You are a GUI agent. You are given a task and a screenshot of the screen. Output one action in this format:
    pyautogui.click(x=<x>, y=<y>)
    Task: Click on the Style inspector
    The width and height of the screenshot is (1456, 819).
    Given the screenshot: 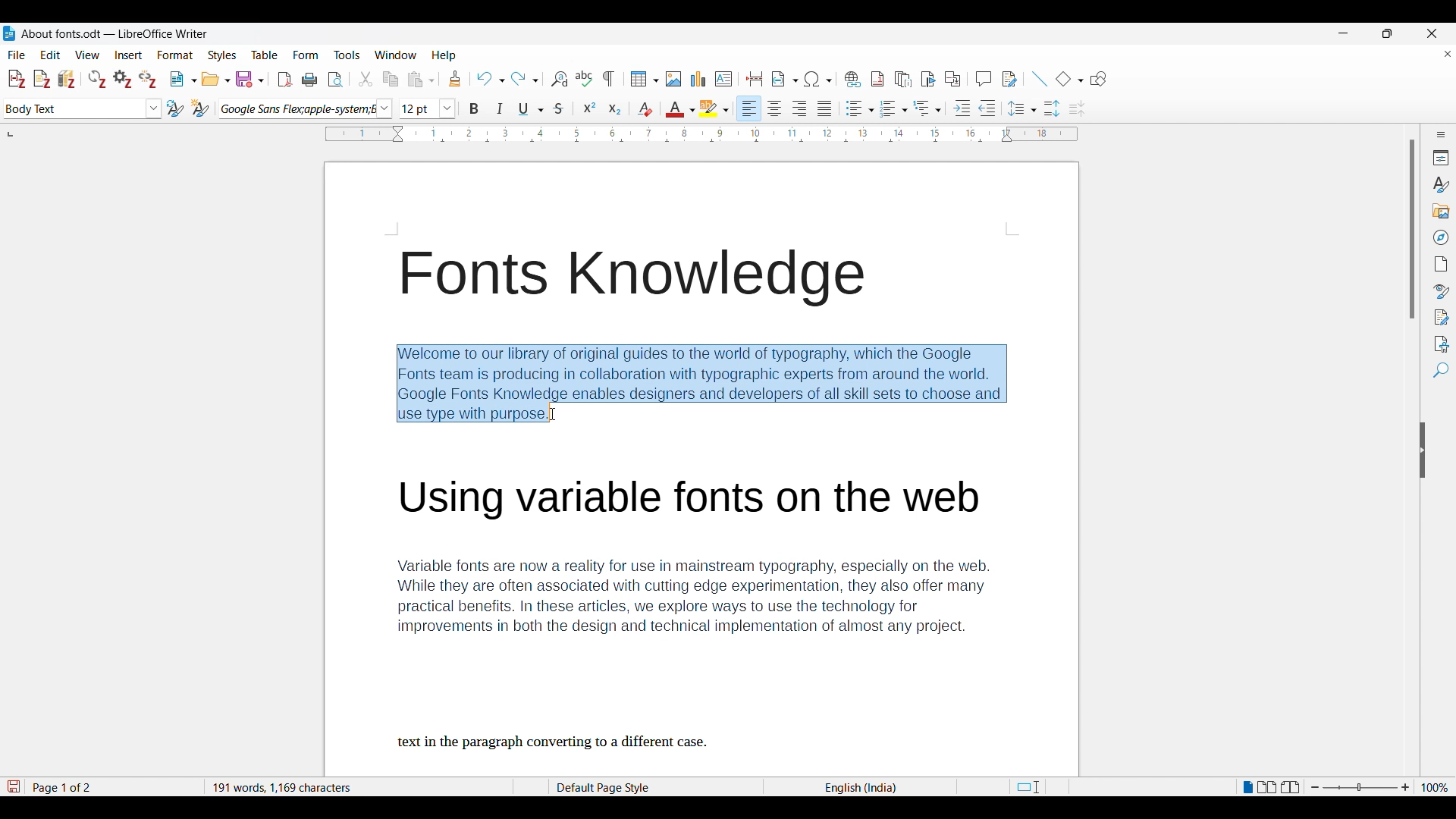 What is the action you would take?
    pyautogui.click(x=1441, y=291)
    